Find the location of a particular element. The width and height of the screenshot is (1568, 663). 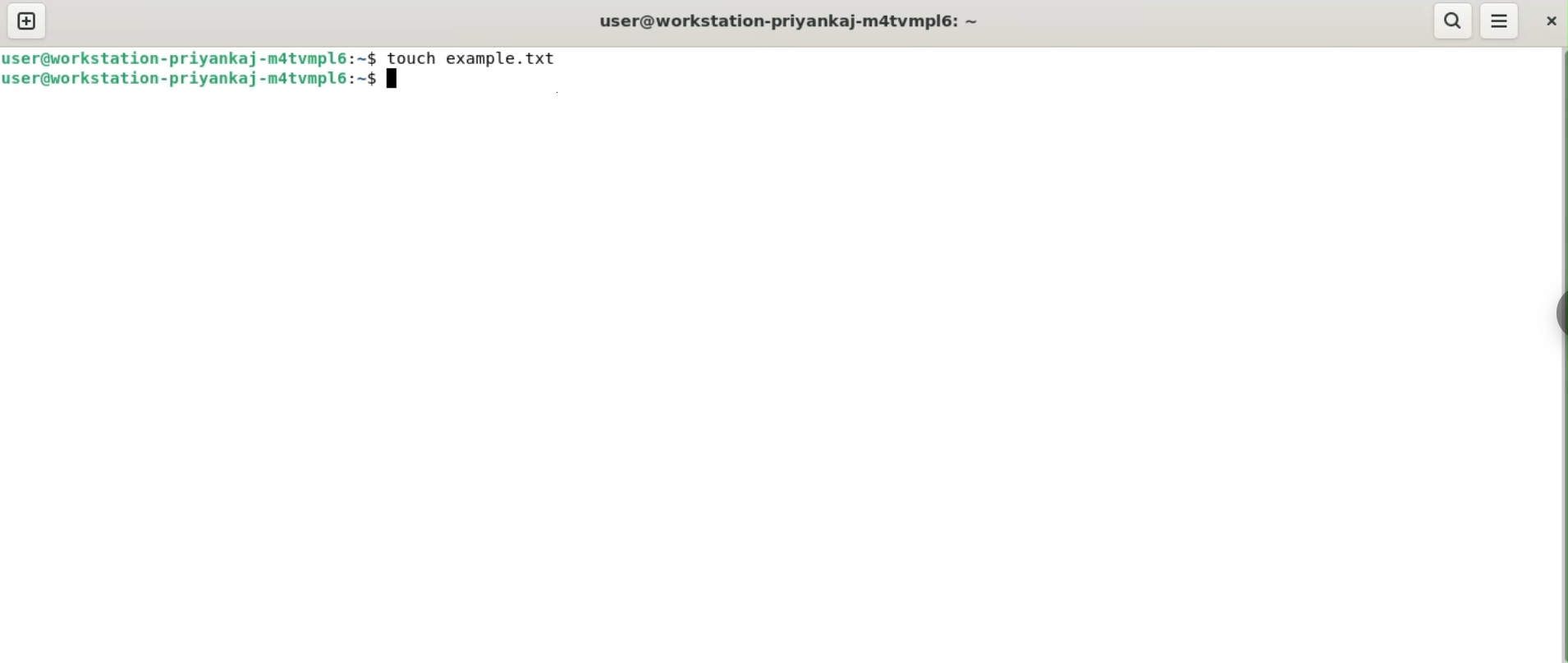

search is located at coordinates (1452, 21).